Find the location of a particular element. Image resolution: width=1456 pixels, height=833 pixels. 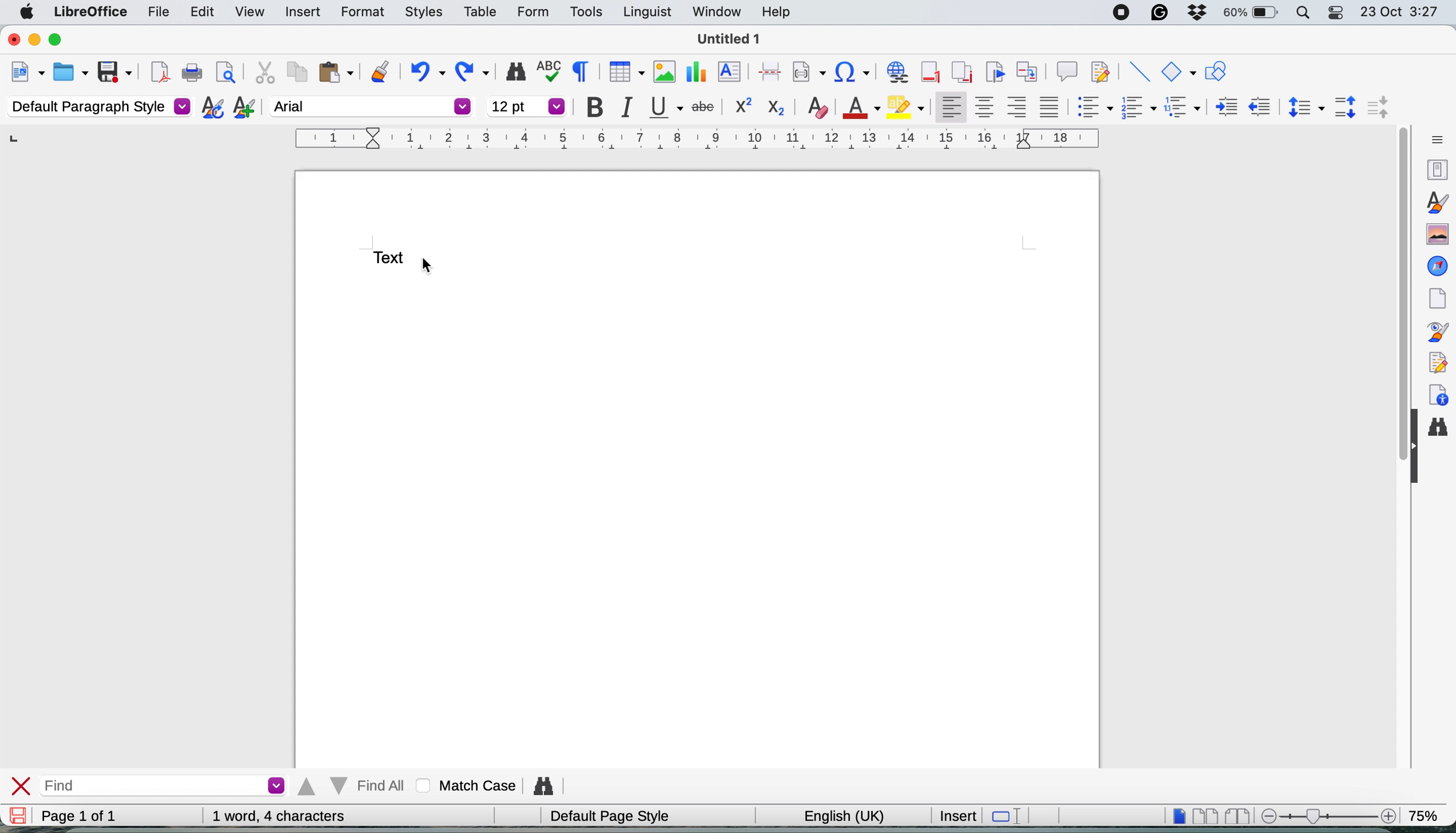

justified is located at coordinates (1050, 106).